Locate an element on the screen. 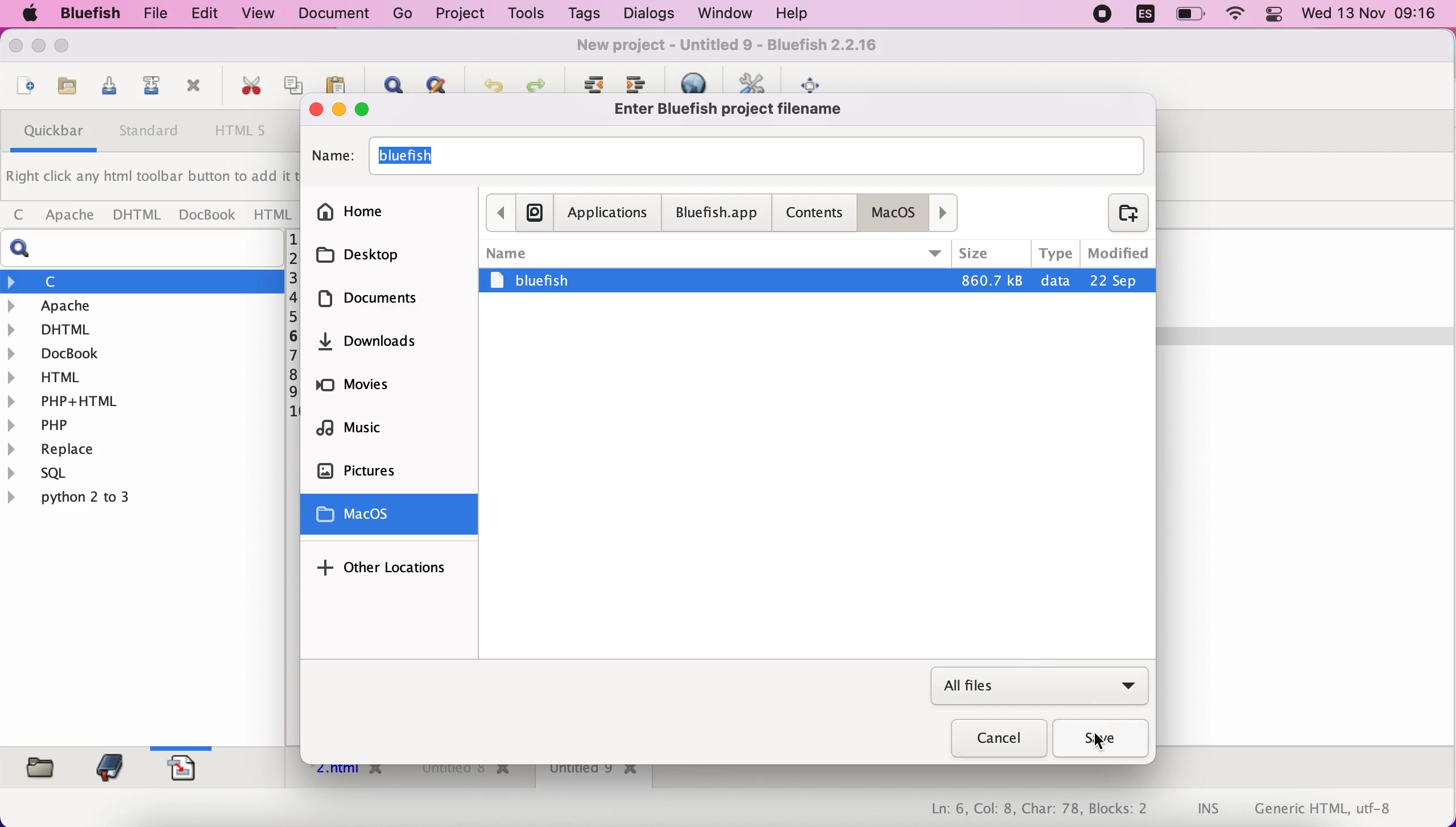 The height and width of the screenshot is (827, 1456). save is located at coordinates (1103, 739).